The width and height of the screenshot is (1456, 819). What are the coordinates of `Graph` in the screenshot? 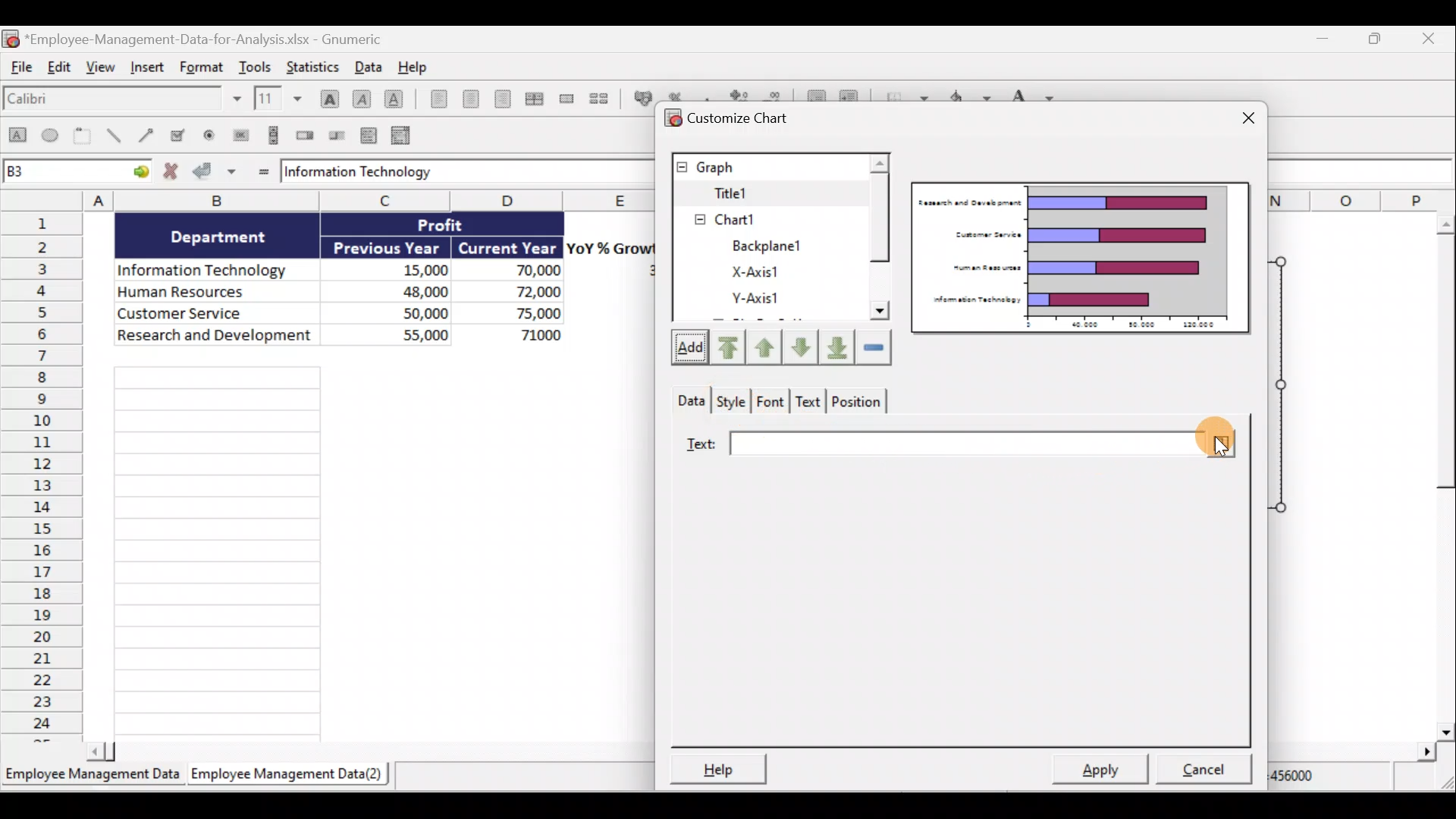 It's located at (767, 166).